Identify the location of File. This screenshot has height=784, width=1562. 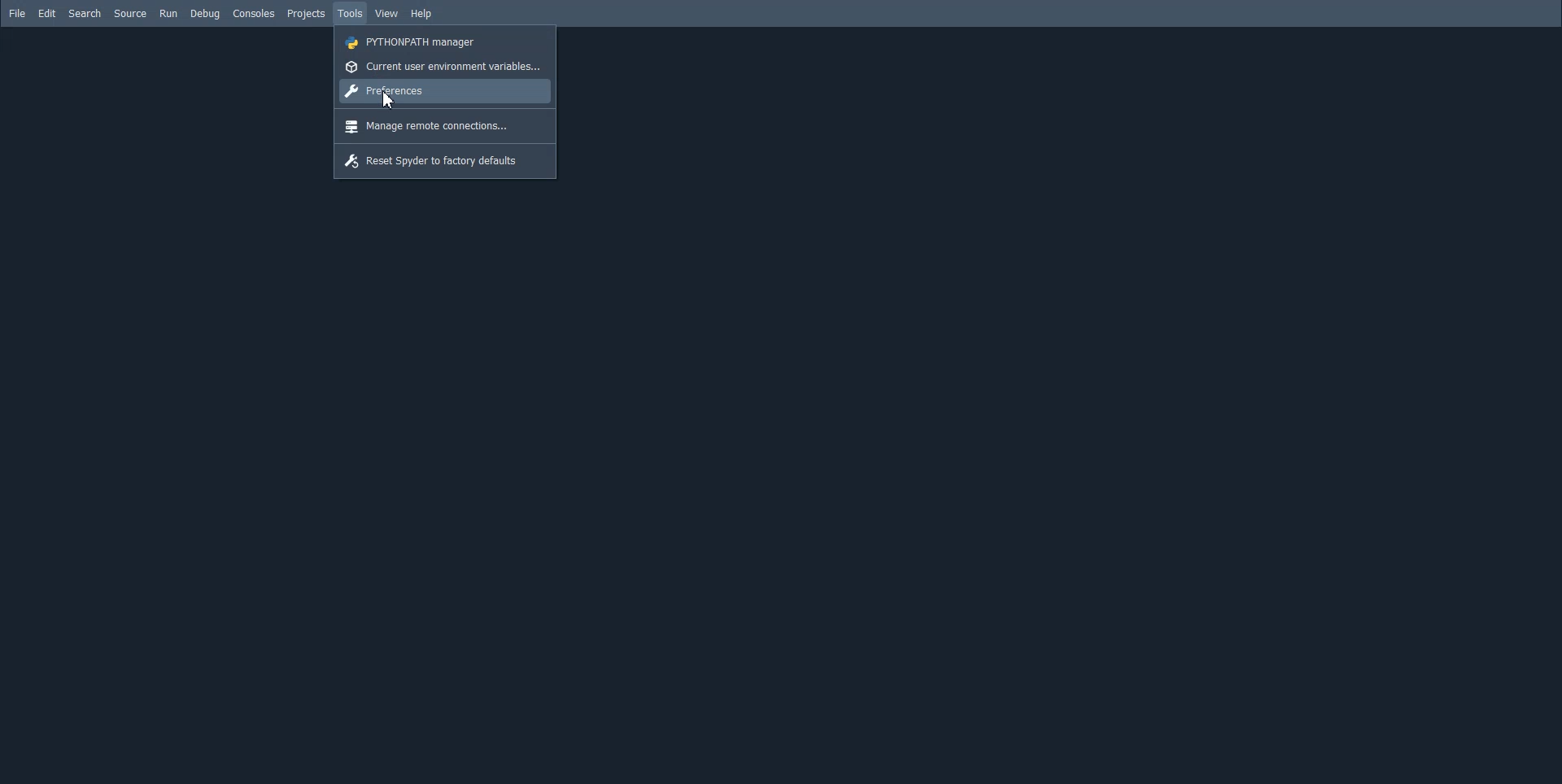
(17, 13).